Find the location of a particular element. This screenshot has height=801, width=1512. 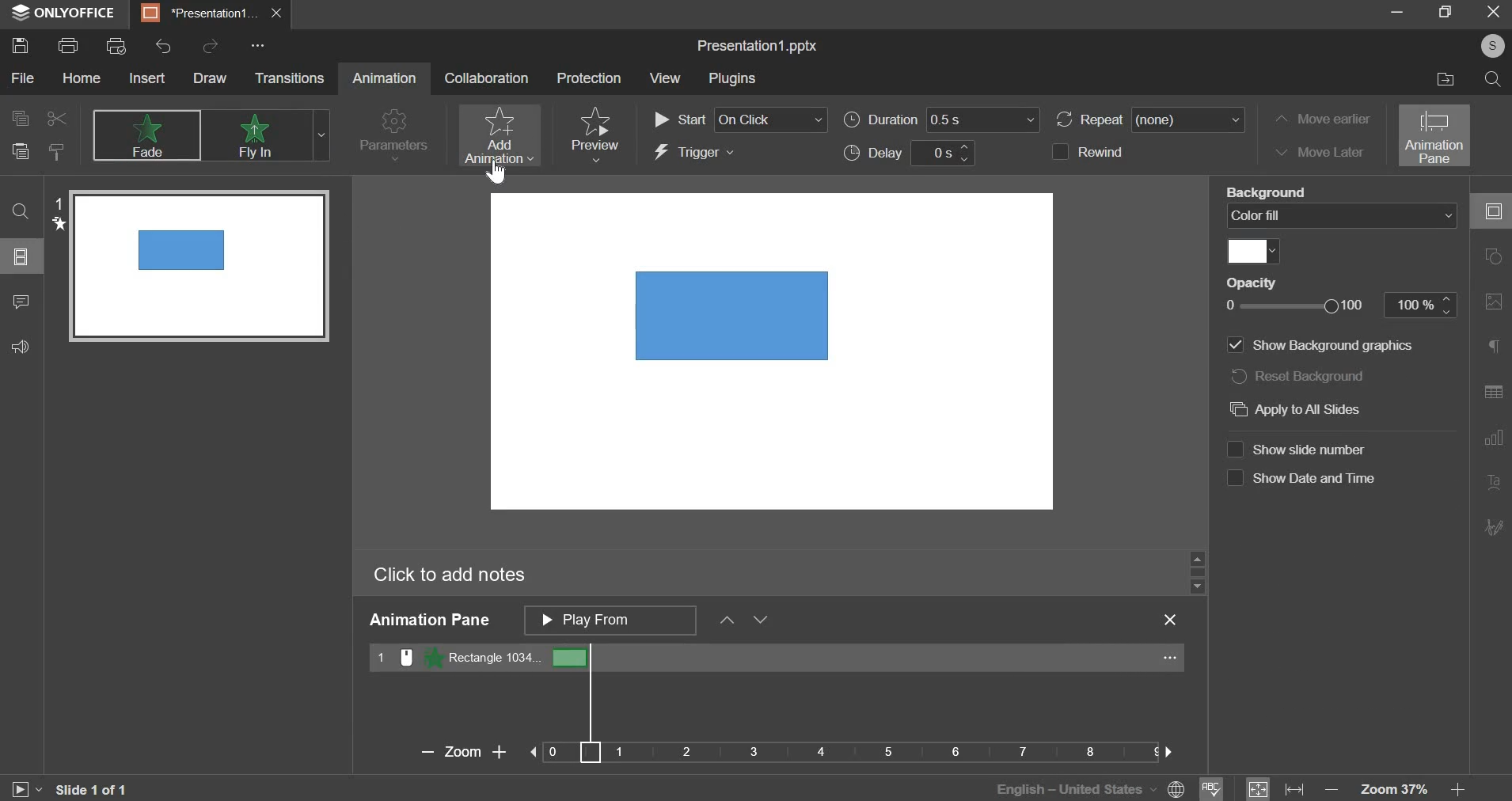

undo is located at coordinates (165, 47).